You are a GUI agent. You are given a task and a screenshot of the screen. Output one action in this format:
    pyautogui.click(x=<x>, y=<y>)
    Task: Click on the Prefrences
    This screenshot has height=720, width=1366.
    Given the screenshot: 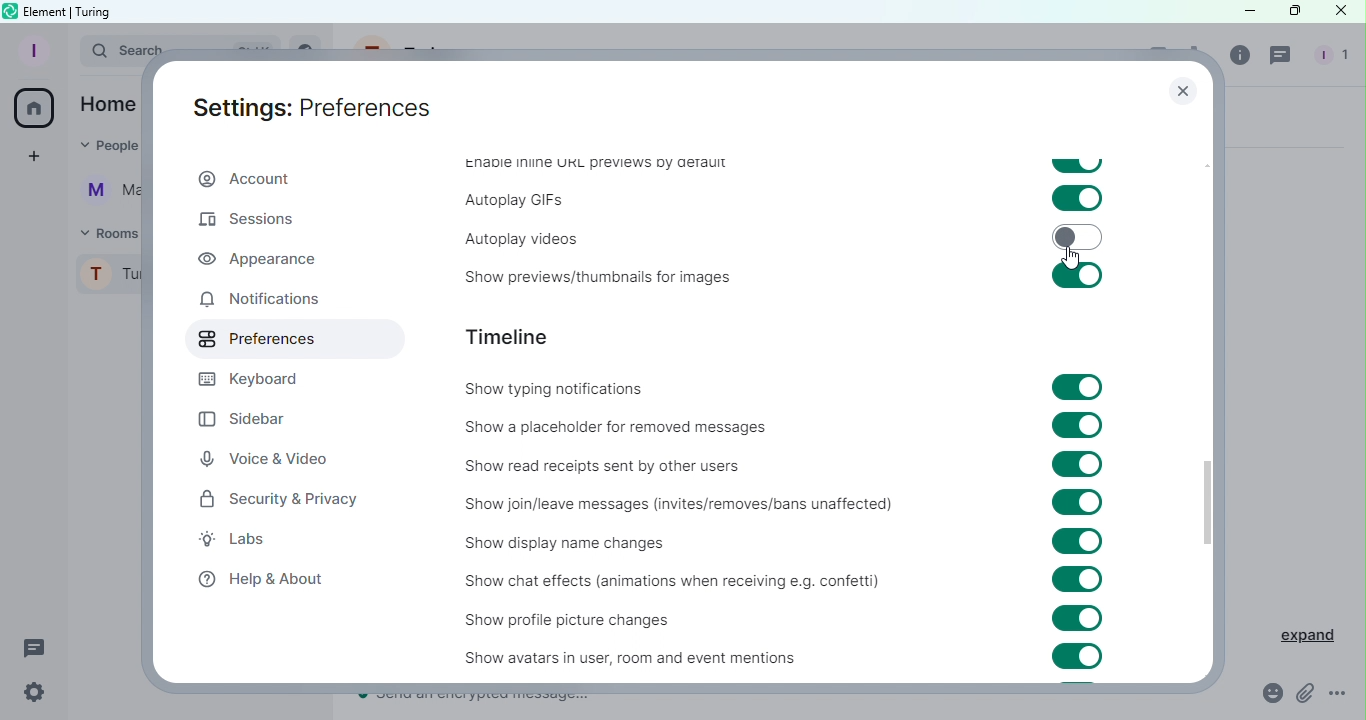 What is the action you would take?
    pyautogui.click(x=291, y=340)
    